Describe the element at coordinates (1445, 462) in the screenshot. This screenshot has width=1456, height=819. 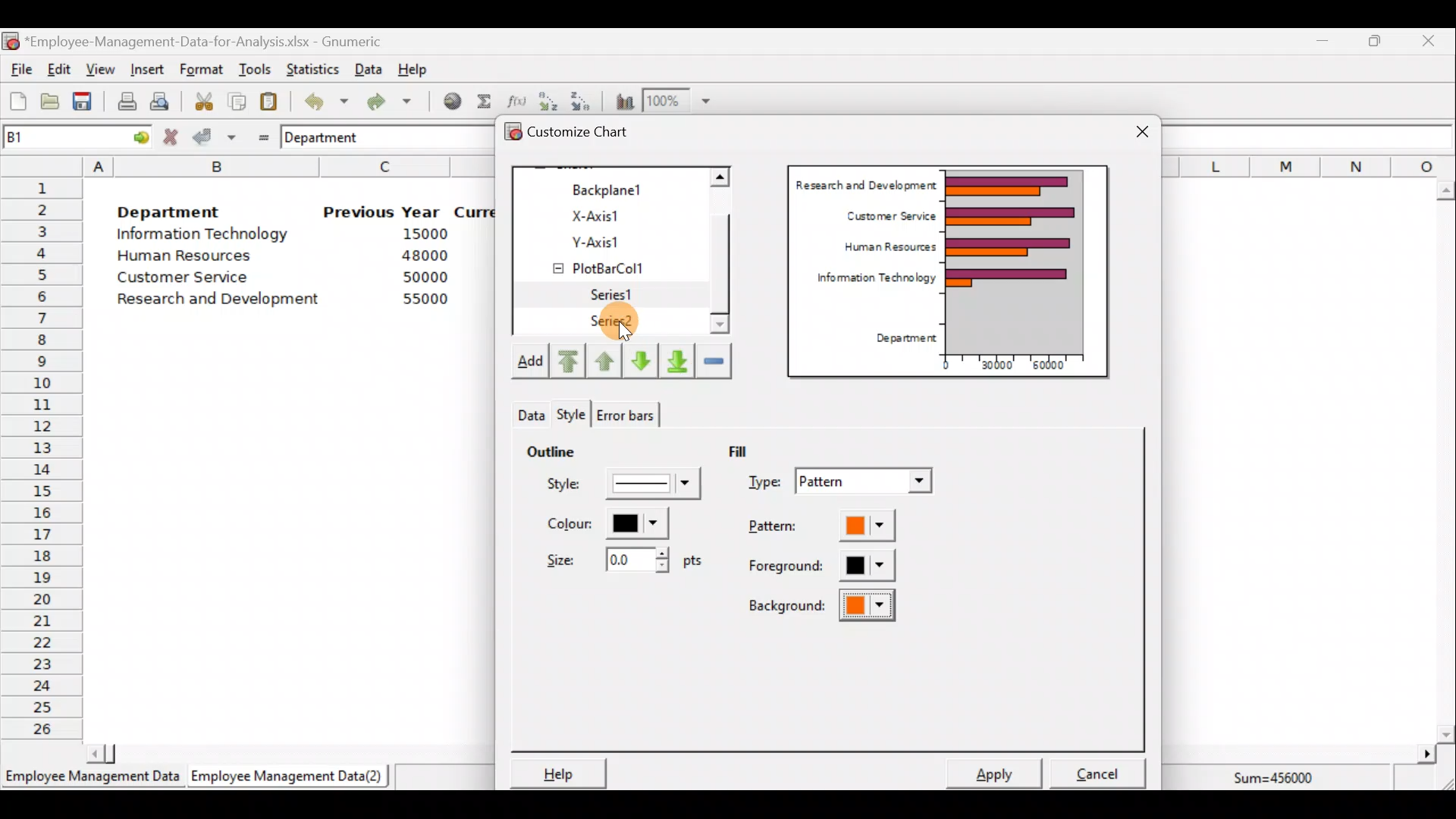
I see `Scroll bar` at that location.